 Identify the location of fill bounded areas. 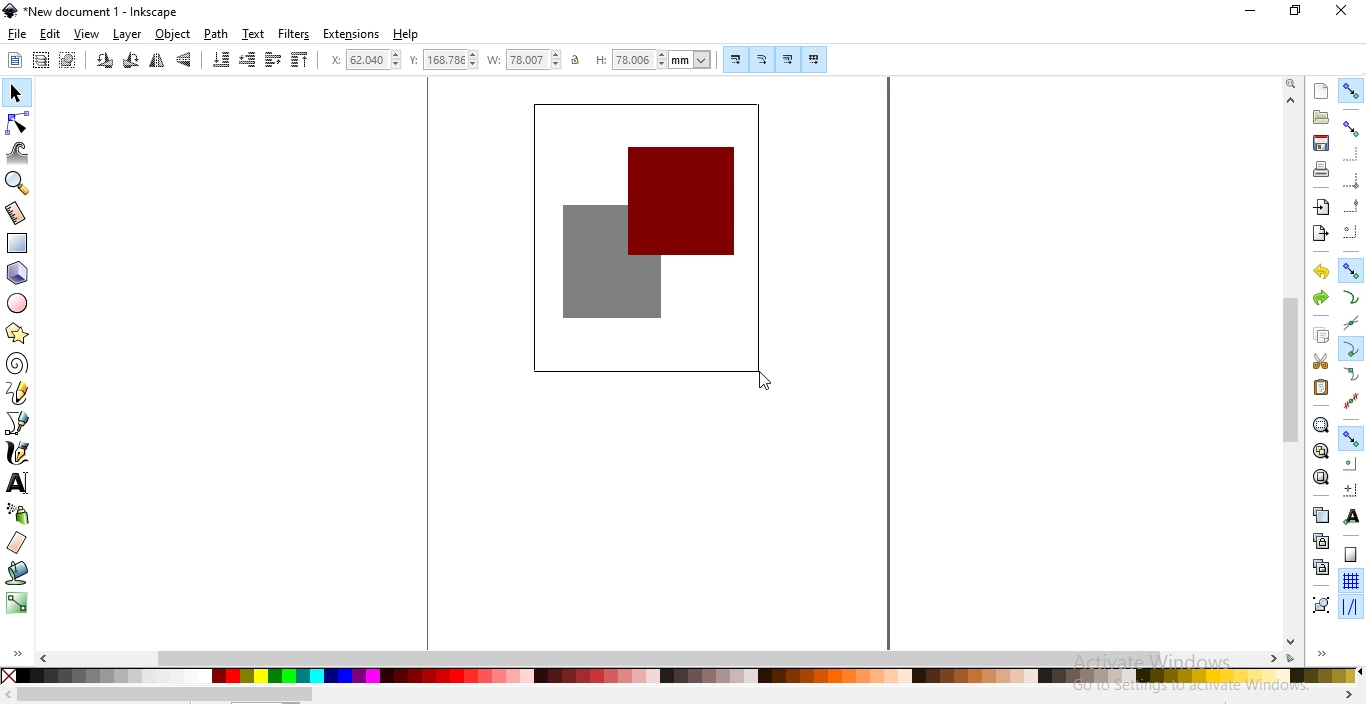
(19, 572).